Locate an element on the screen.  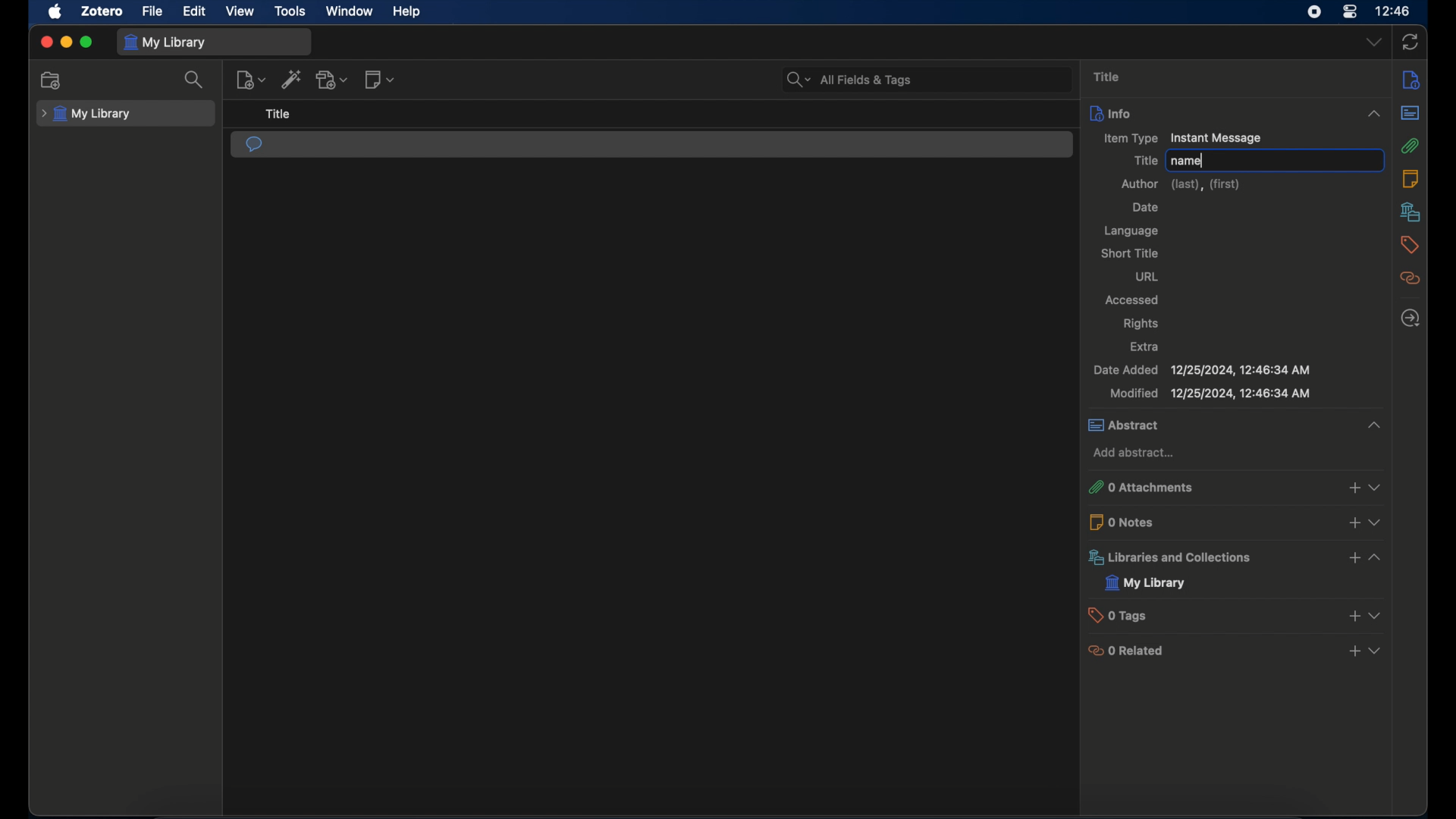
title is located at coordinates (1106, 76).